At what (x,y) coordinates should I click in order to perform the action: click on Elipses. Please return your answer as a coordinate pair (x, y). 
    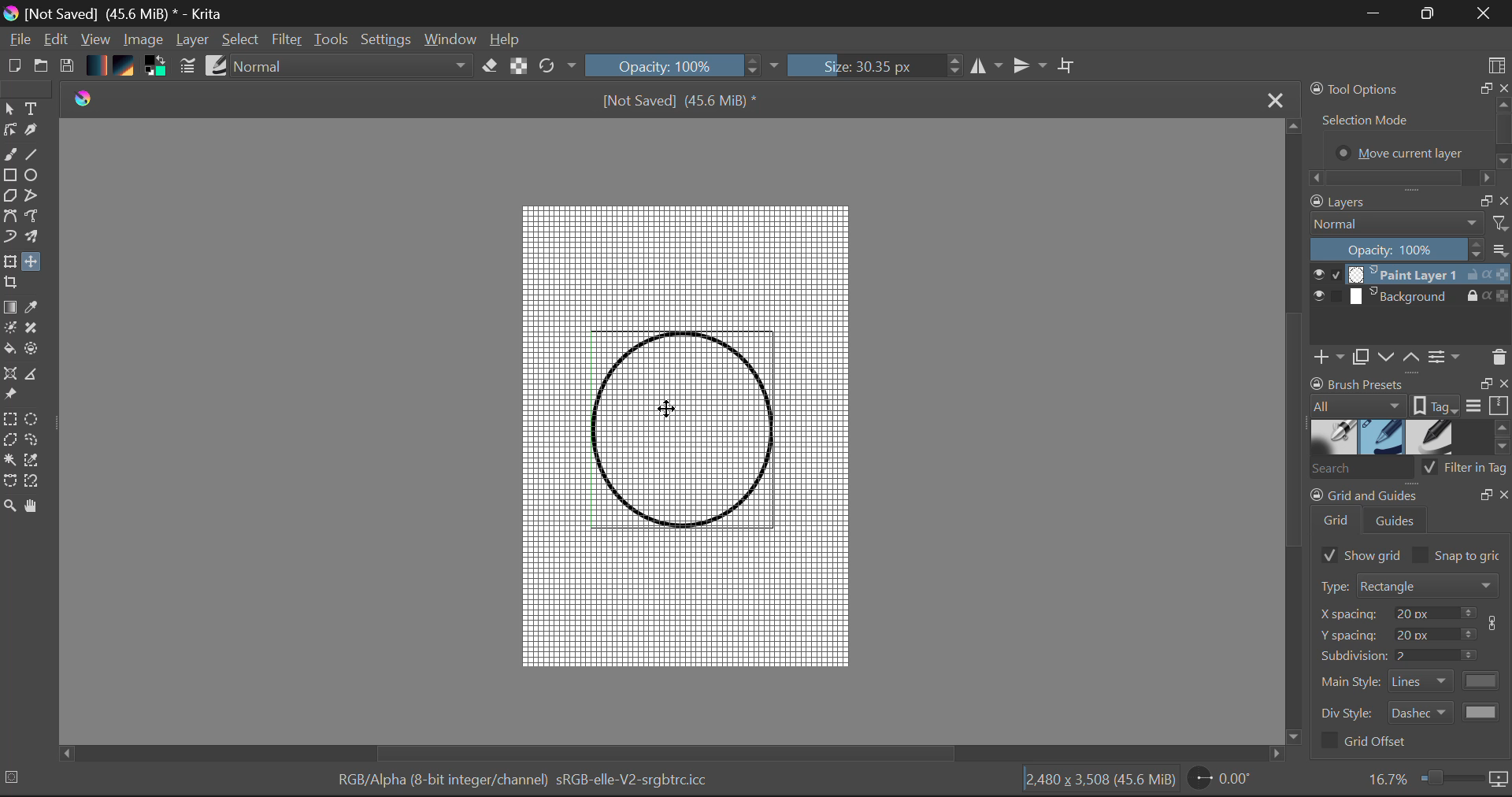
    Looking at the image, I should click on (35, 175).